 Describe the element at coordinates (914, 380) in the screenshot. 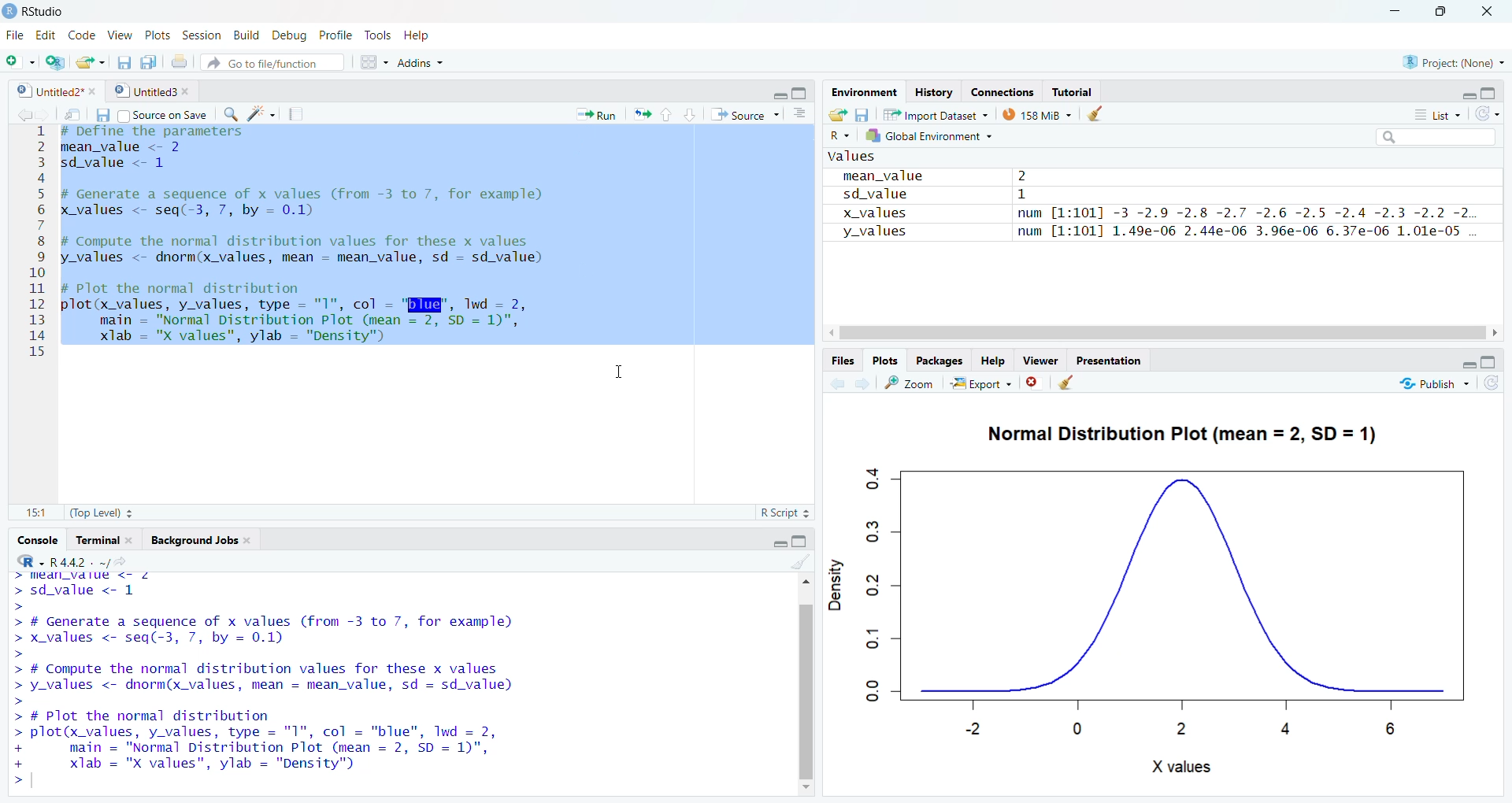

I see `zoom` at that location.